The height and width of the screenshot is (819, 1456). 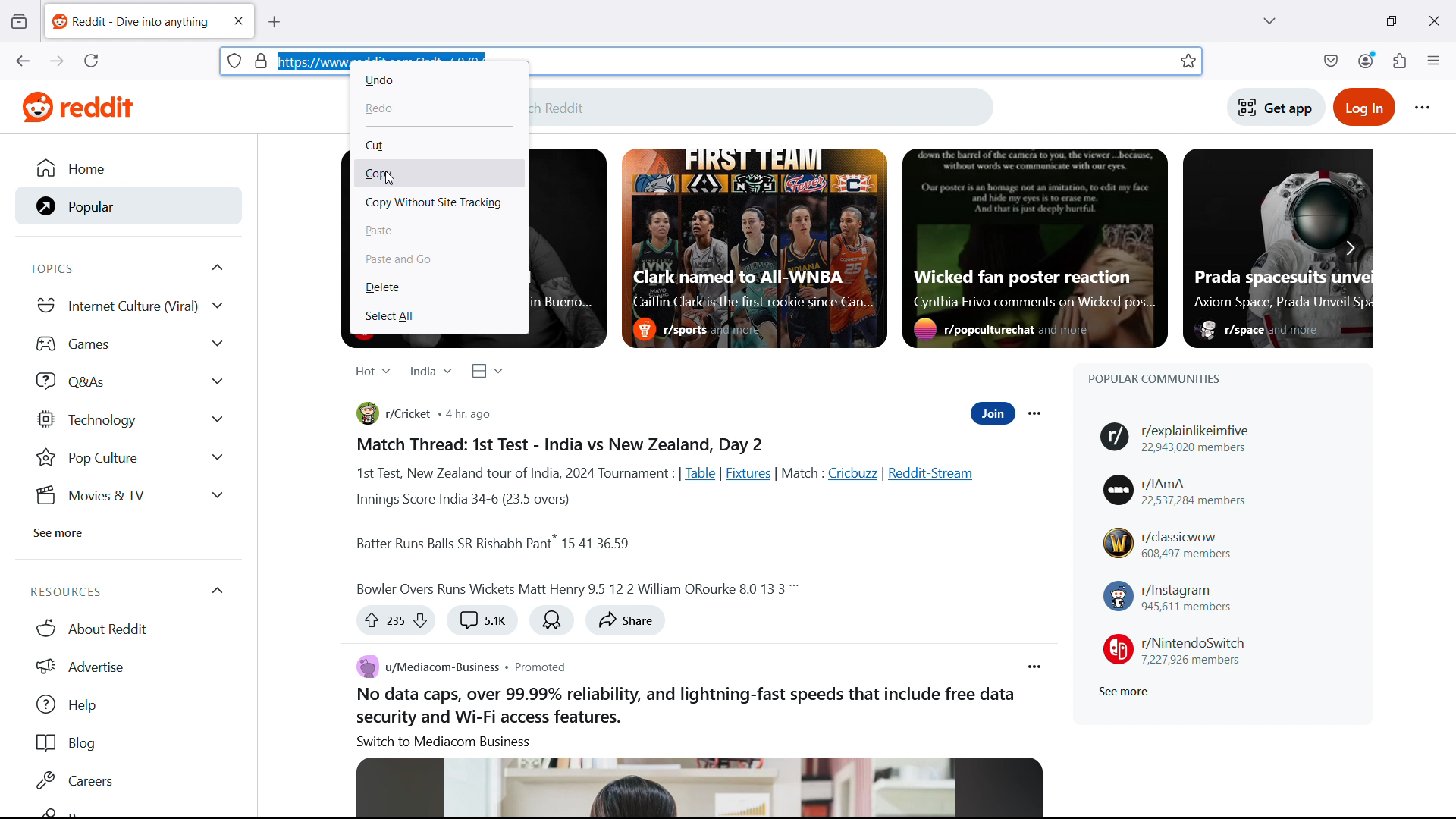 I want to click on save to pocket, so click(x=1331, y=60).